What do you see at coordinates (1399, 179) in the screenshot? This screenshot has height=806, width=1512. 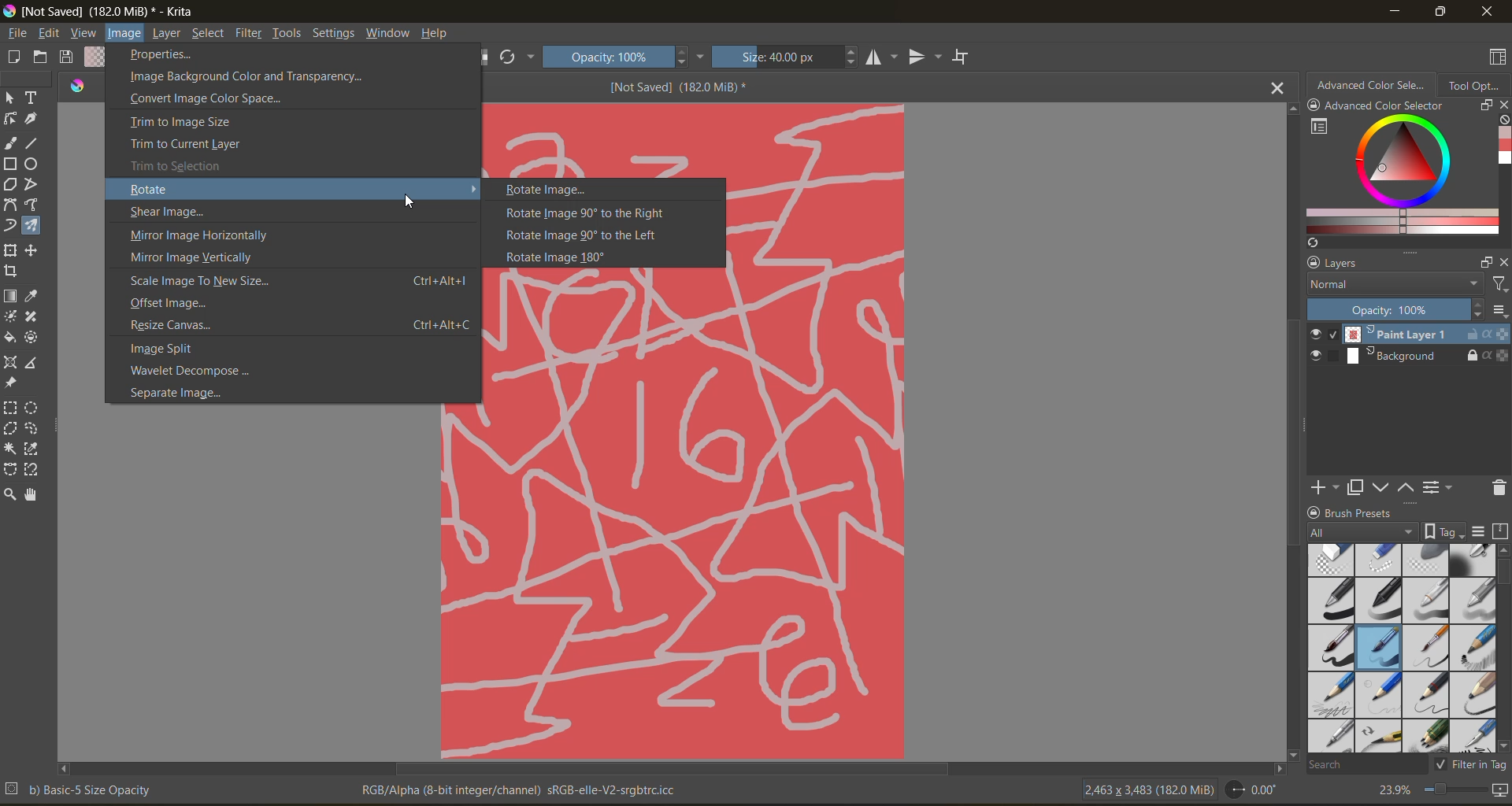 I see `advanced color selector` at bounding box center [1399, 179].